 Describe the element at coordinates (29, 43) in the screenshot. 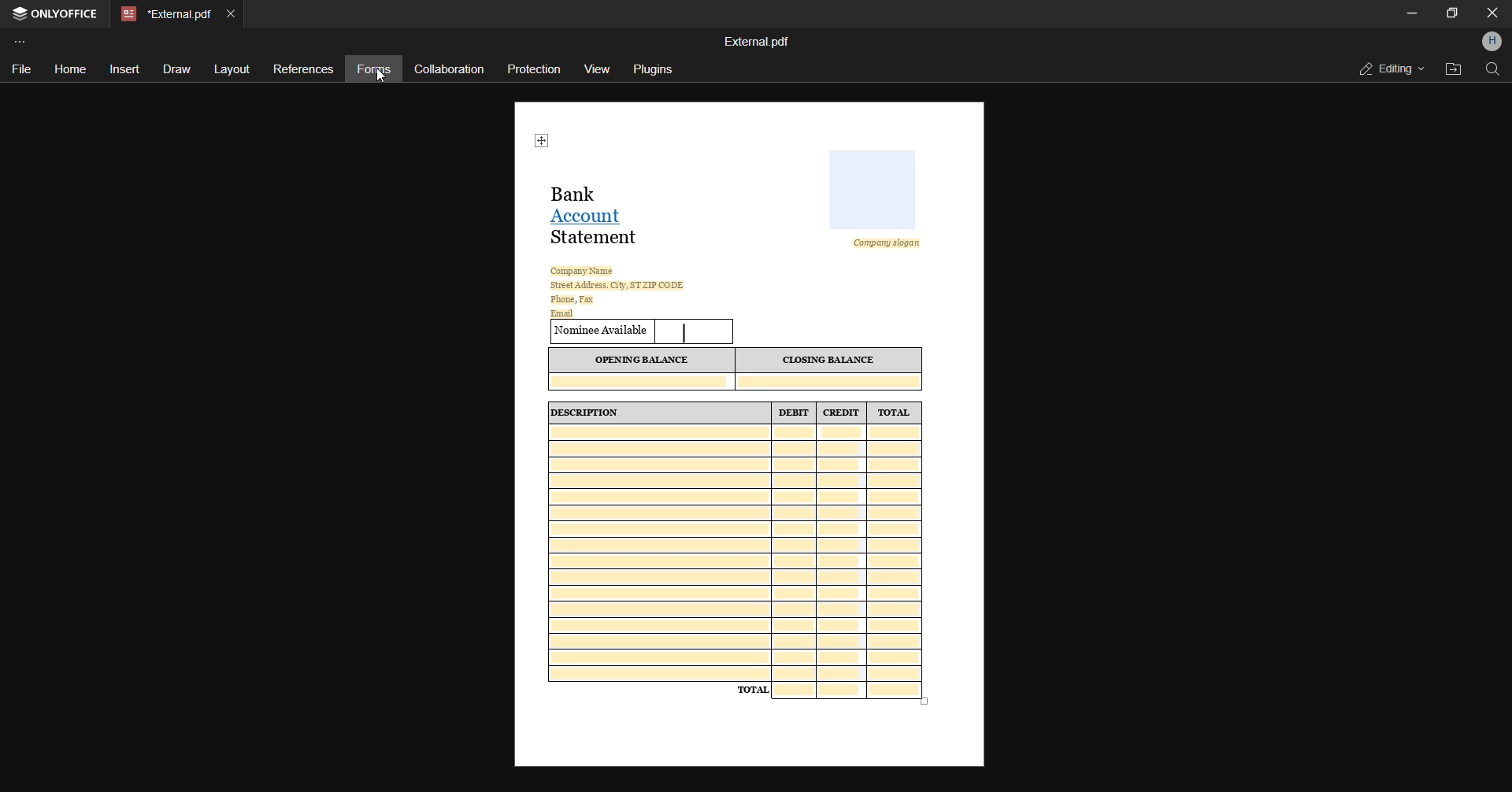

I see `customize toolbar` at that location.